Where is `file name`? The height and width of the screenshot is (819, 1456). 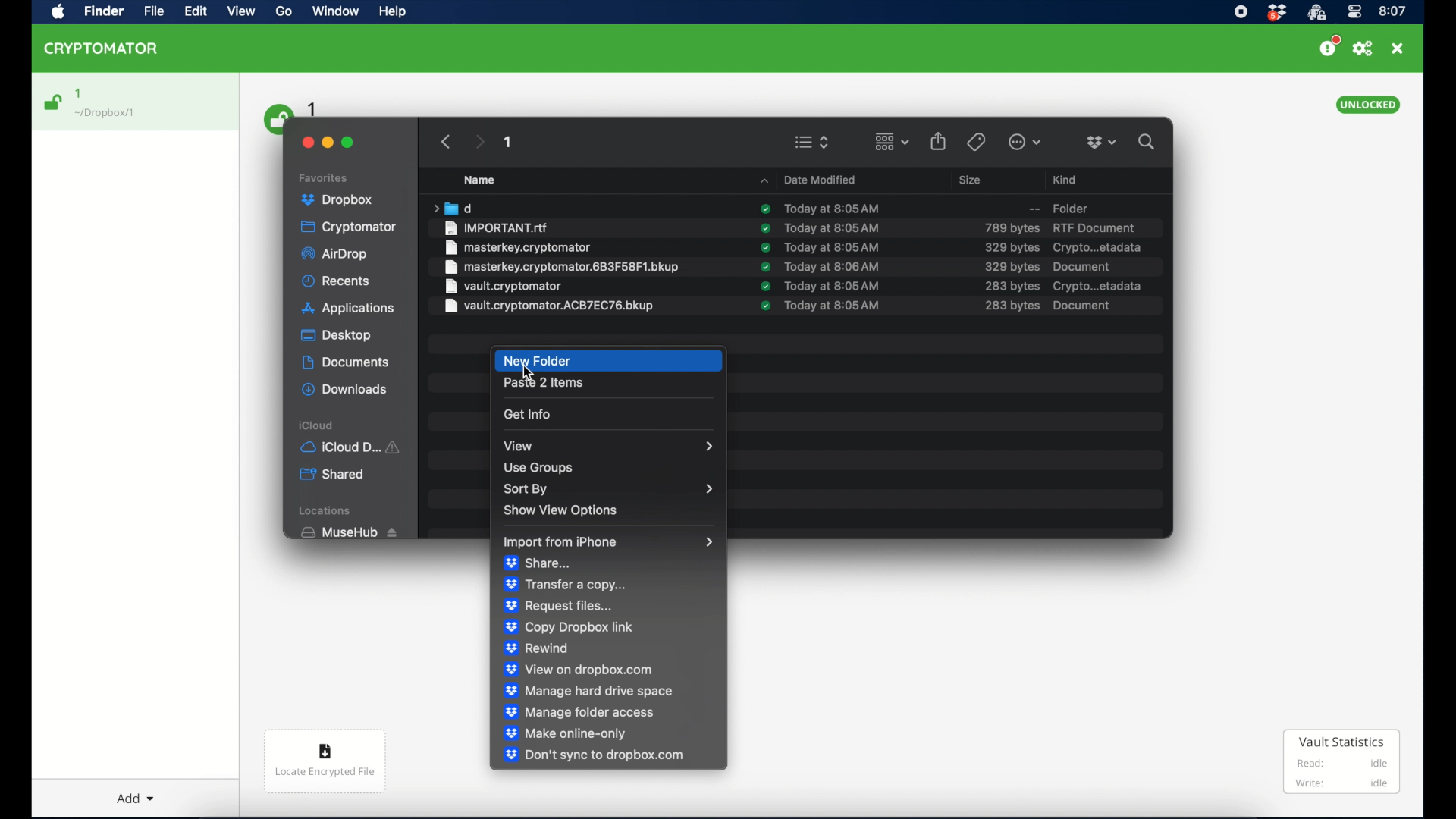 file name is located at coordinates (550, 306).